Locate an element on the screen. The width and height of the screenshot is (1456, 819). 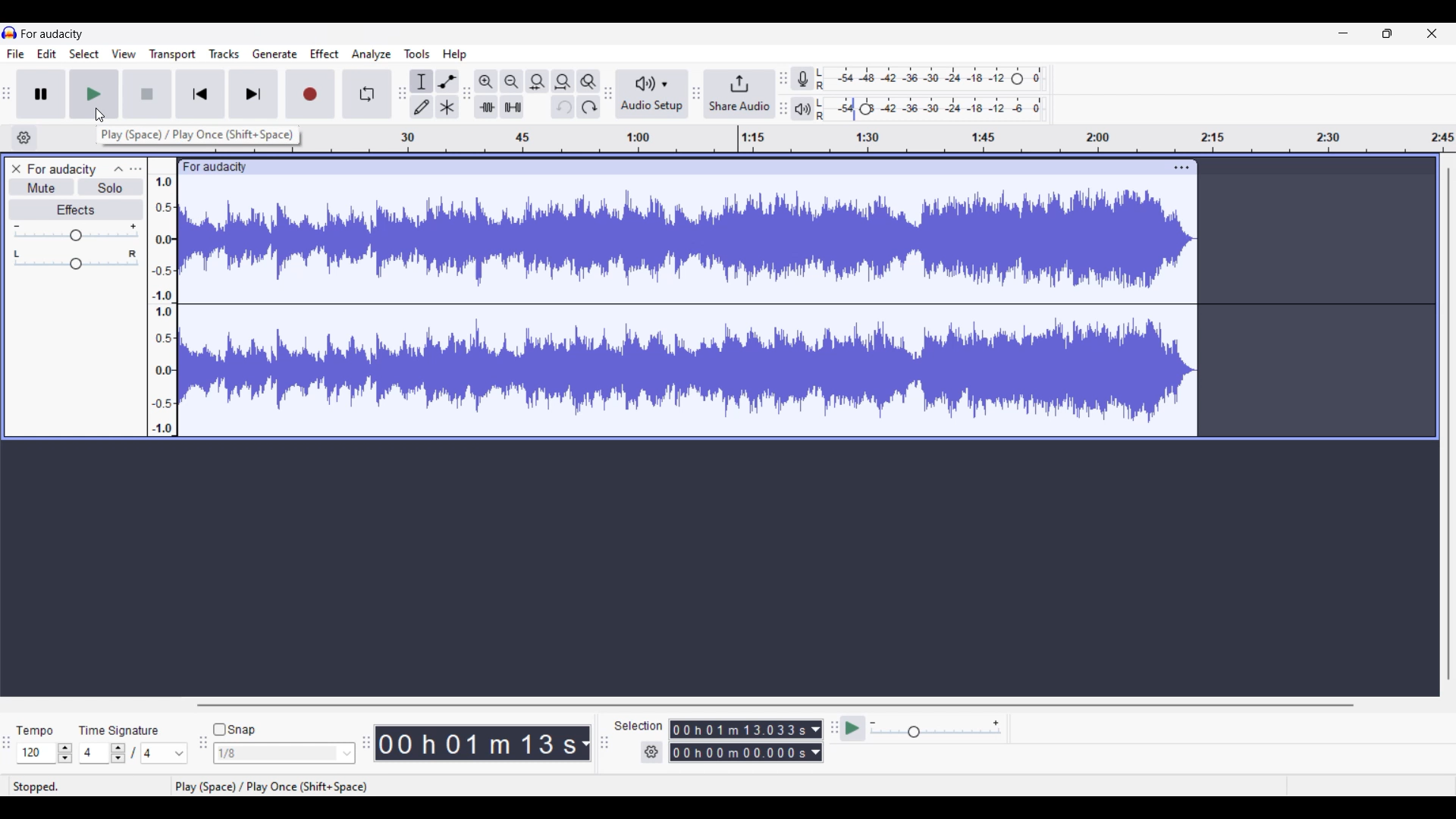
Multi tool is located at coordinates (447, 107).